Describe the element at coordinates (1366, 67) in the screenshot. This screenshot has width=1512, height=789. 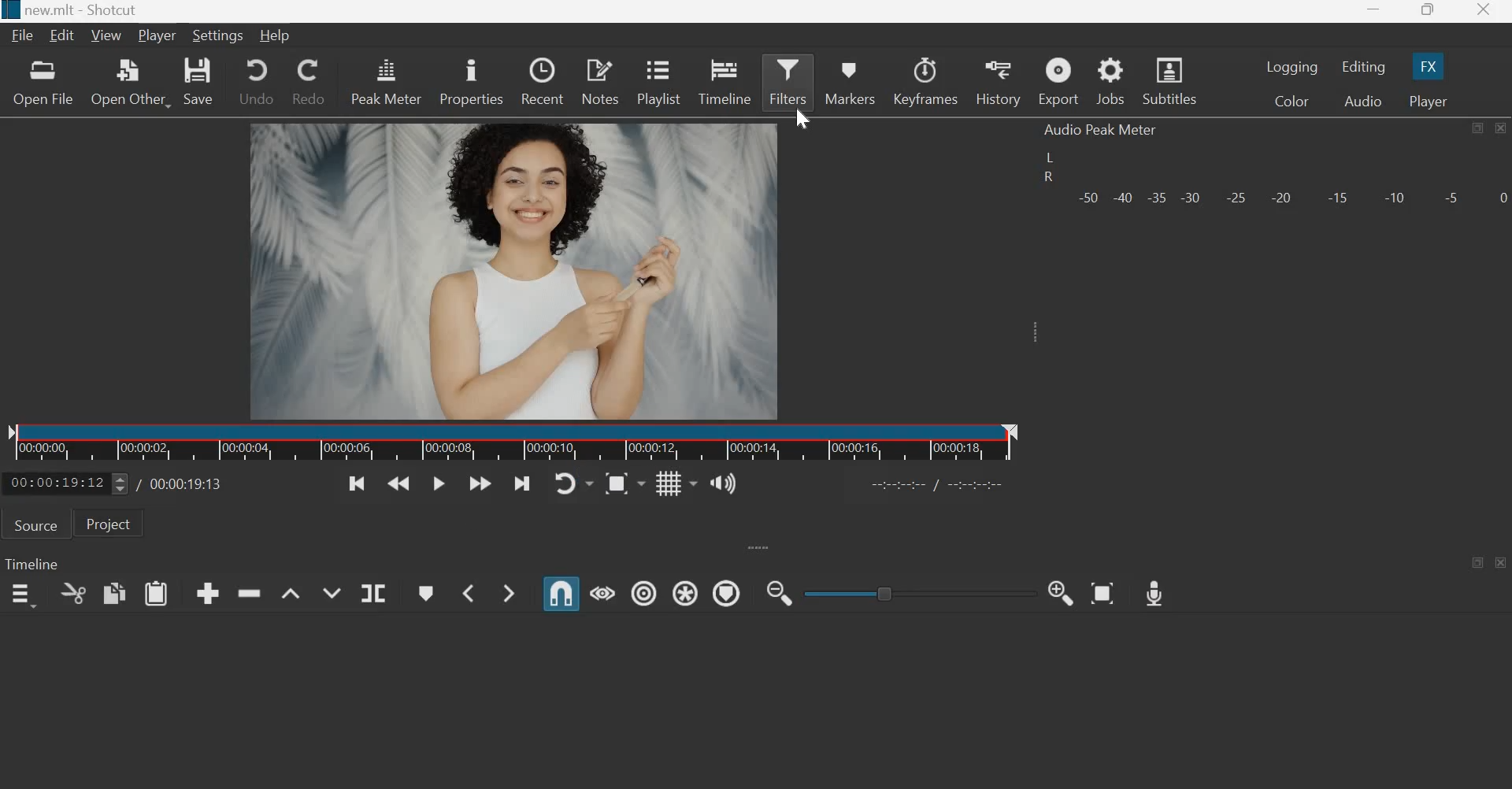
I see `Editing` at that location.